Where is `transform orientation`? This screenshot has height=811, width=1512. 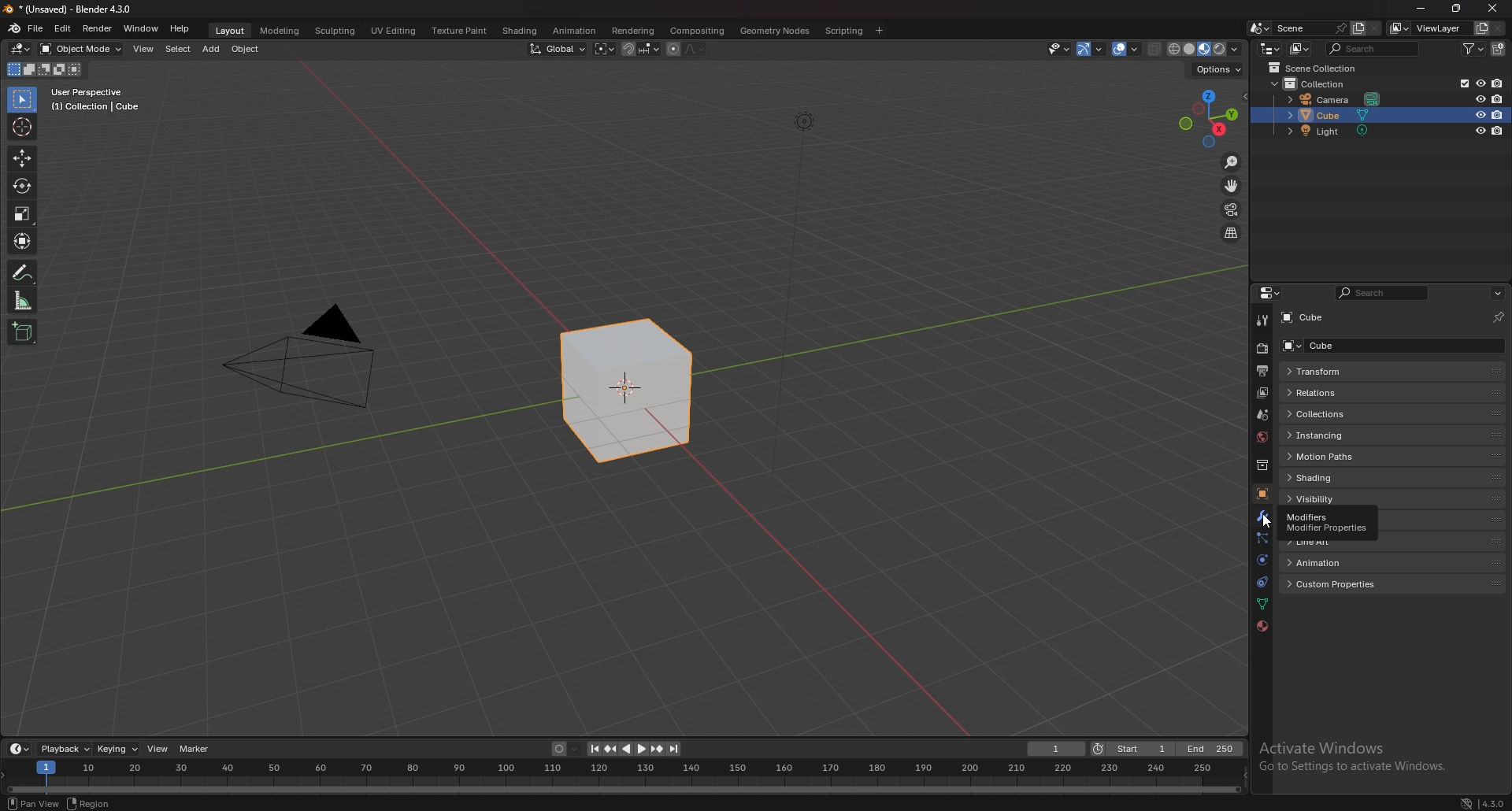
transform orientation is located at coordinates (557, 49).